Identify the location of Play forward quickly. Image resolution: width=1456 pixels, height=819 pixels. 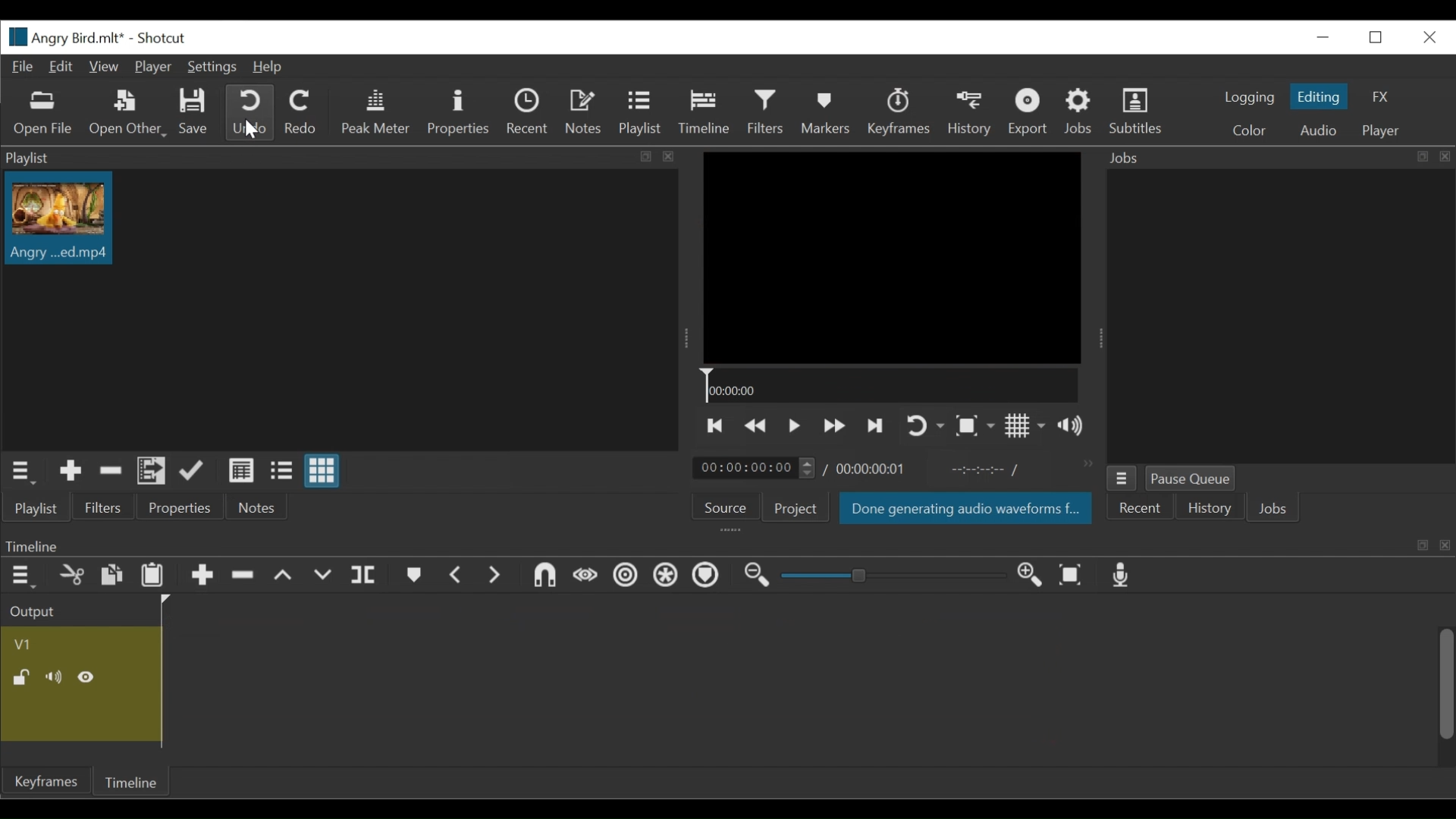
(834, 425).